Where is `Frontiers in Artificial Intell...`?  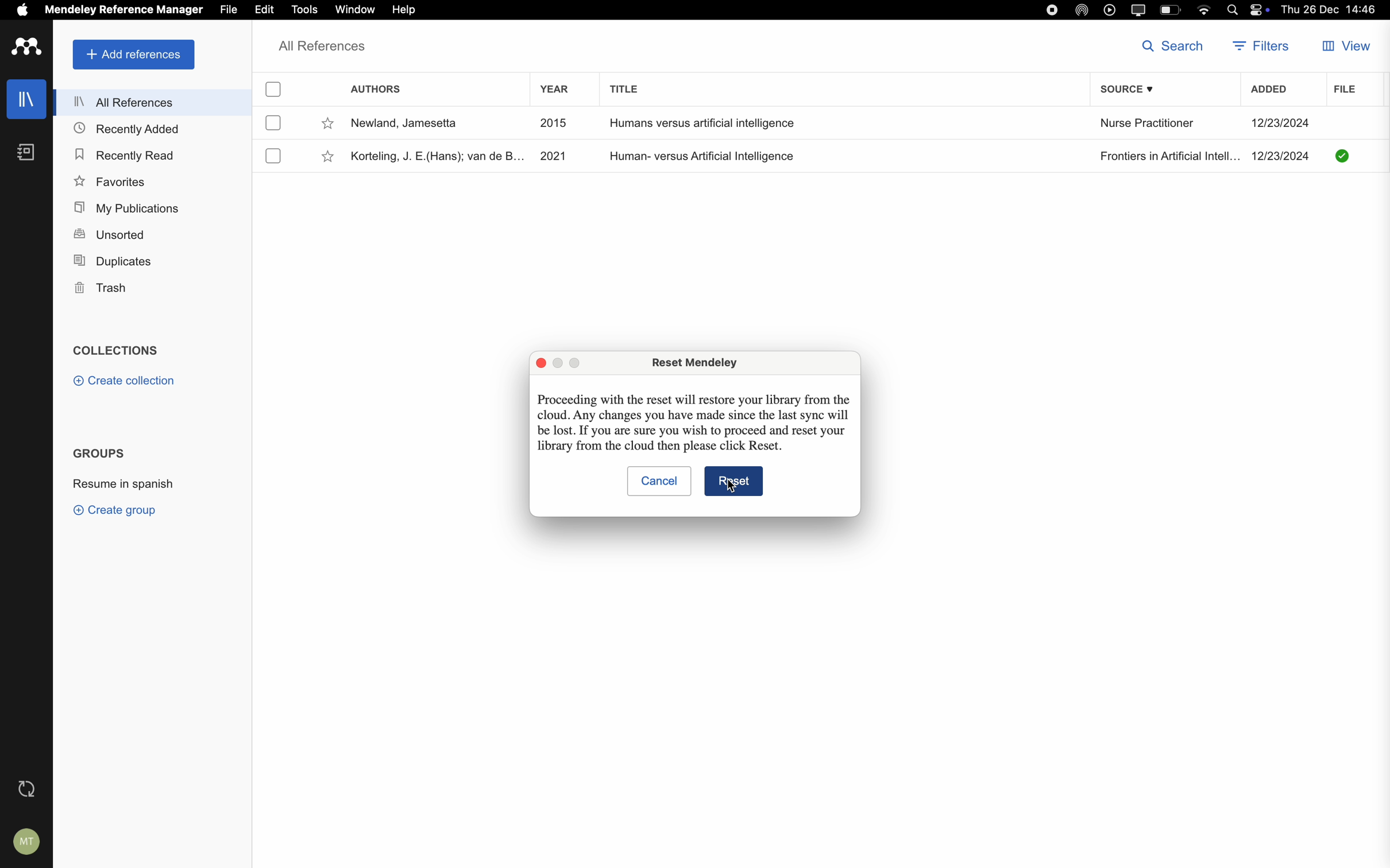
Frontiers in Artificial Intell... is located at coordinates (1160, 157).